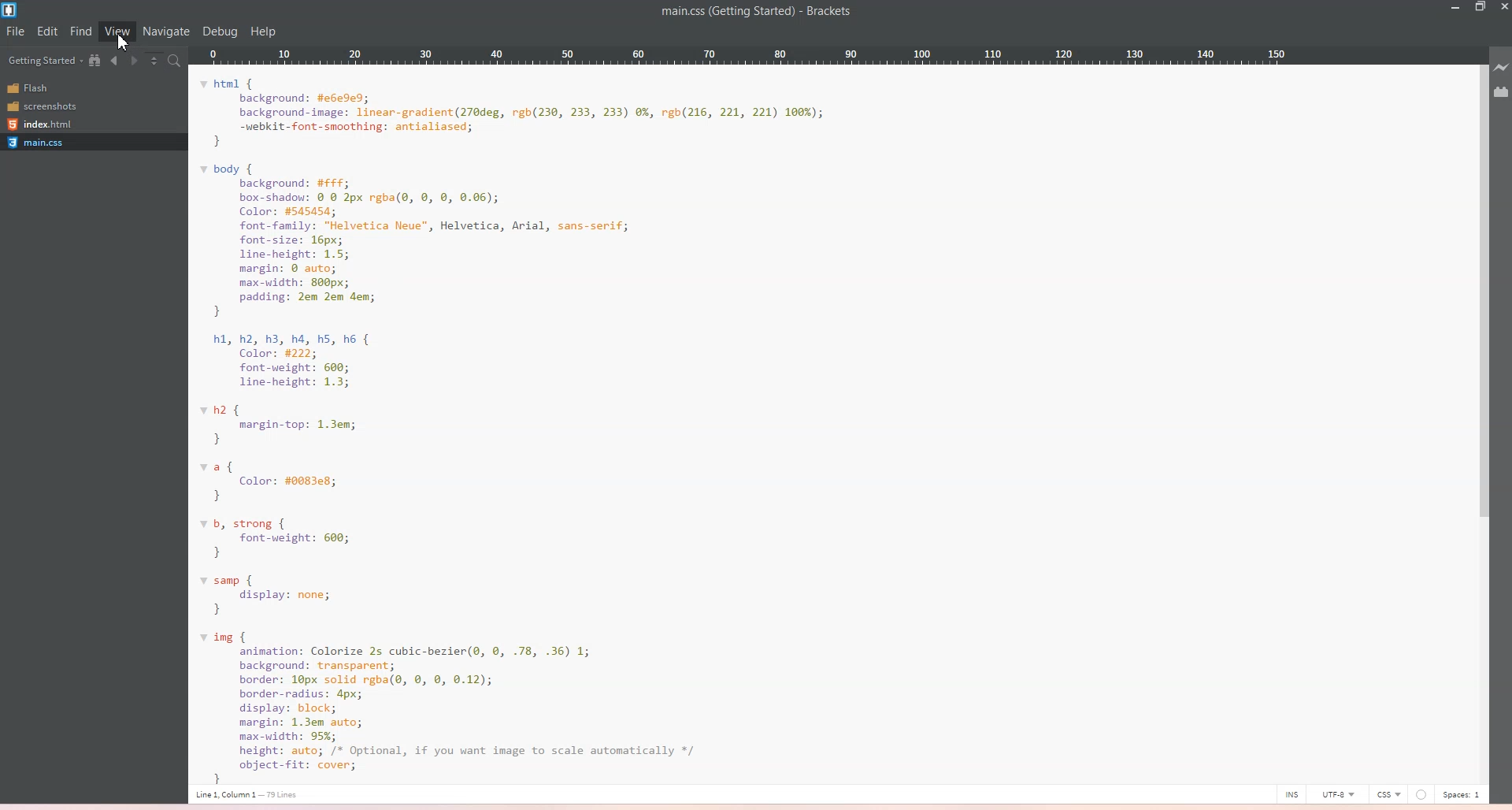  What do you see at coordinates (15, 32) in the screenshot?
I see `File` at bounding box center [15, 32].